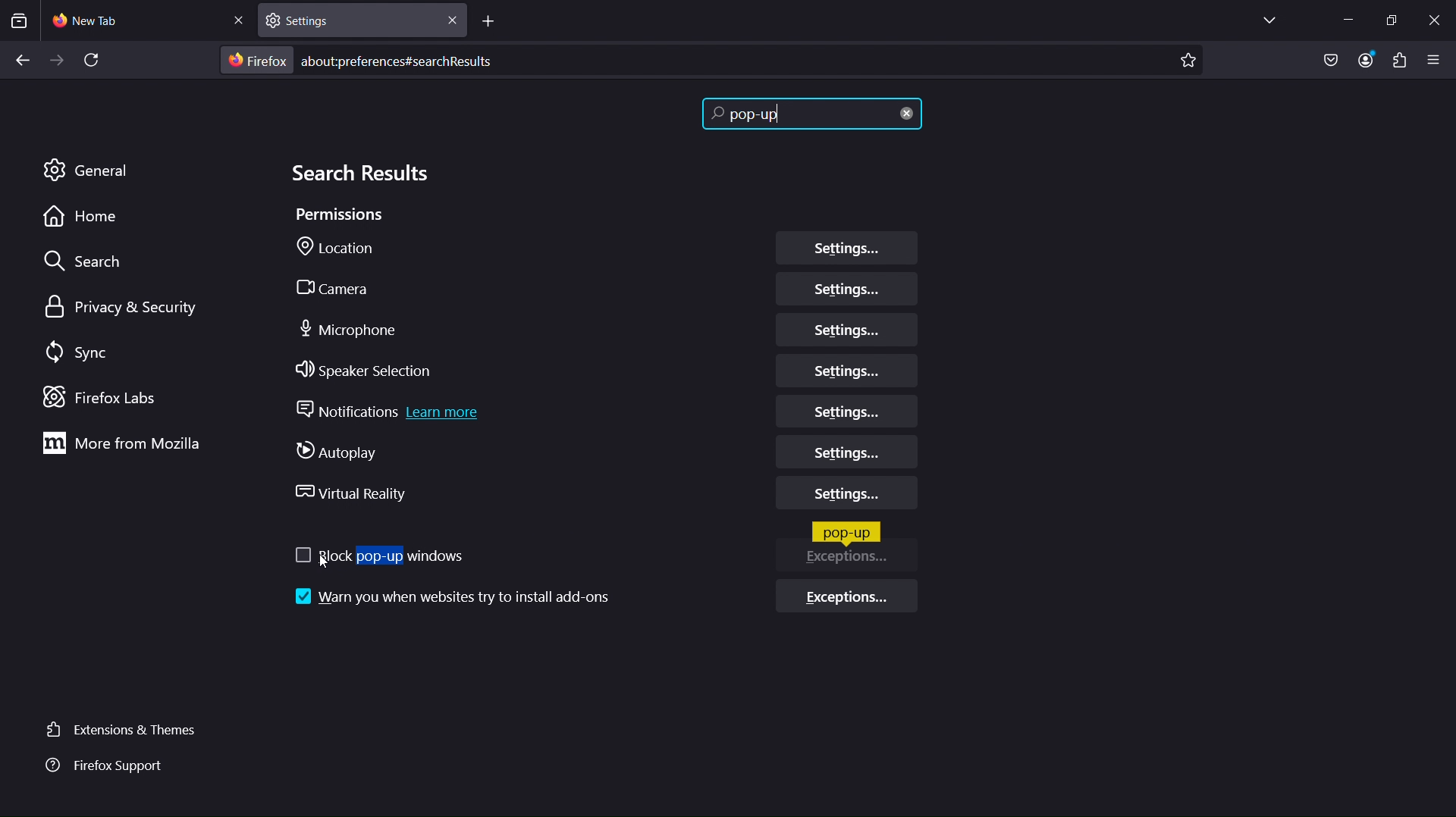 Image resolution: width=1456 pixels, height=817 pixels. Describe the element at coordinates (849, 599) in the screenshot. I see `Exceptions` at that location.